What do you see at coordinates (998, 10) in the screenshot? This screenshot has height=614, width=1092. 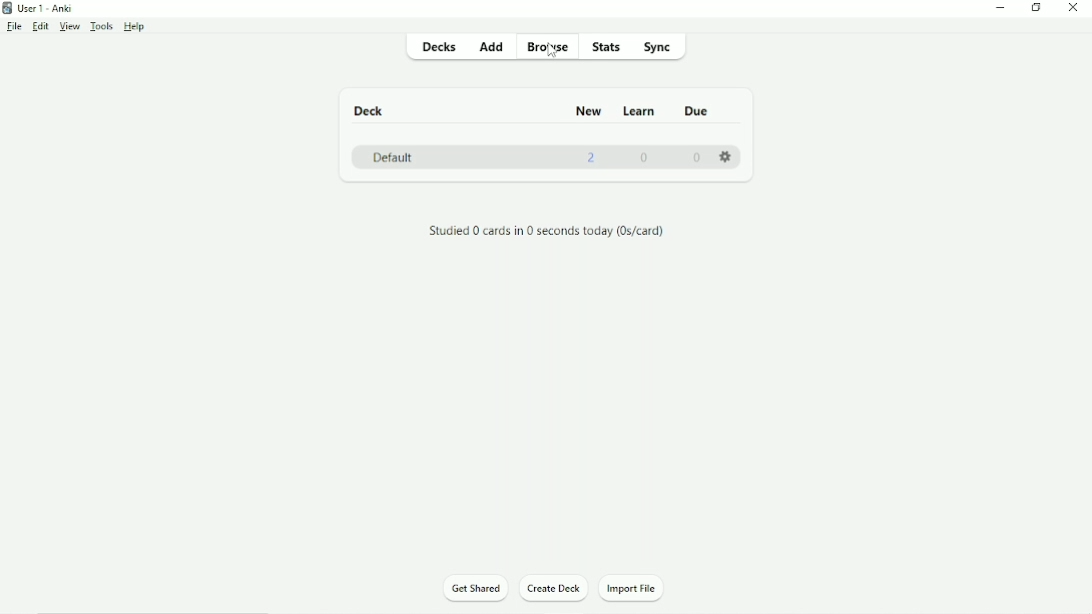 I see `Minimize` at bounding box center [998, 10].